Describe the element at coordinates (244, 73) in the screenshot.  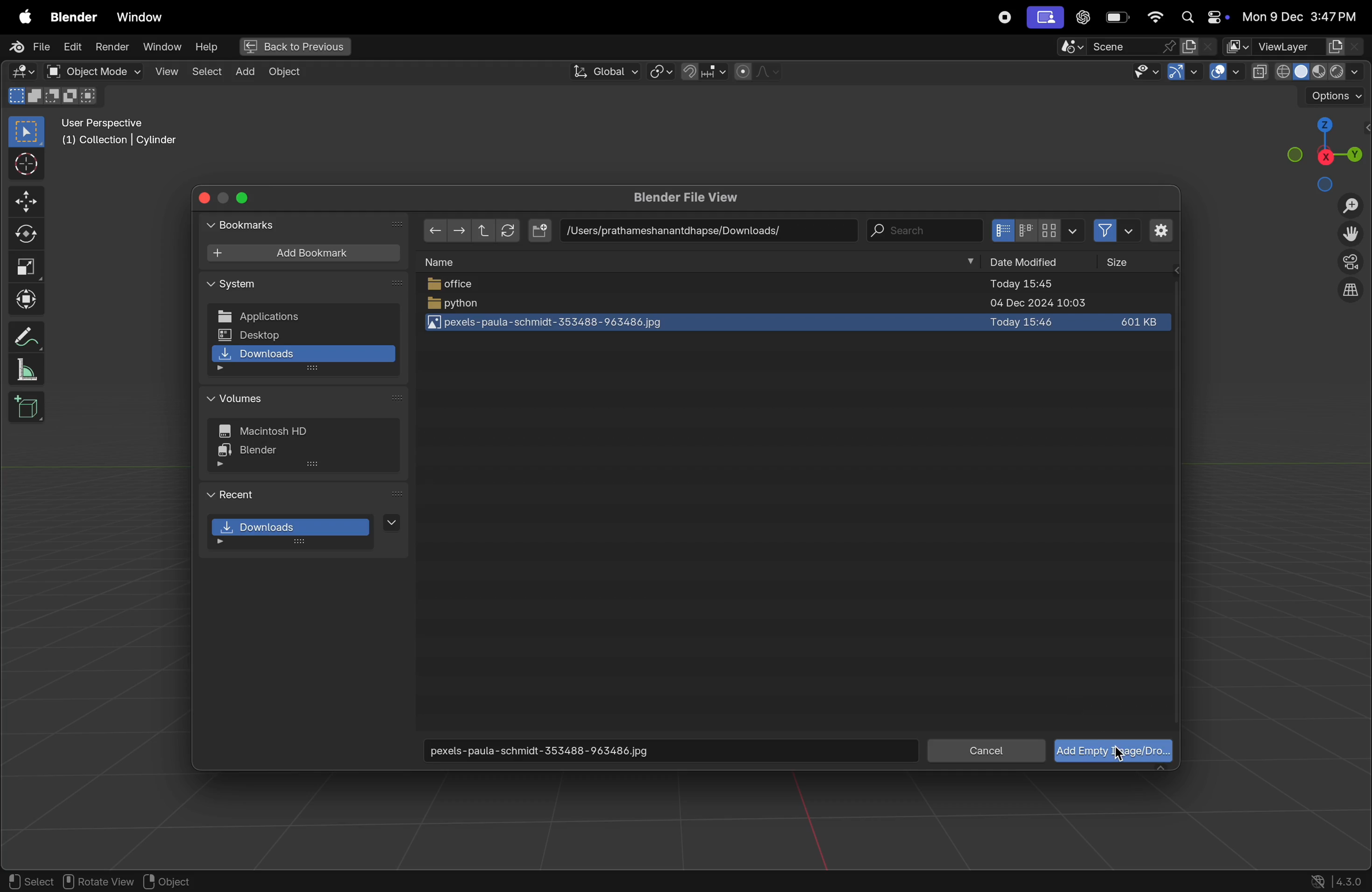
I see `add` at that location.